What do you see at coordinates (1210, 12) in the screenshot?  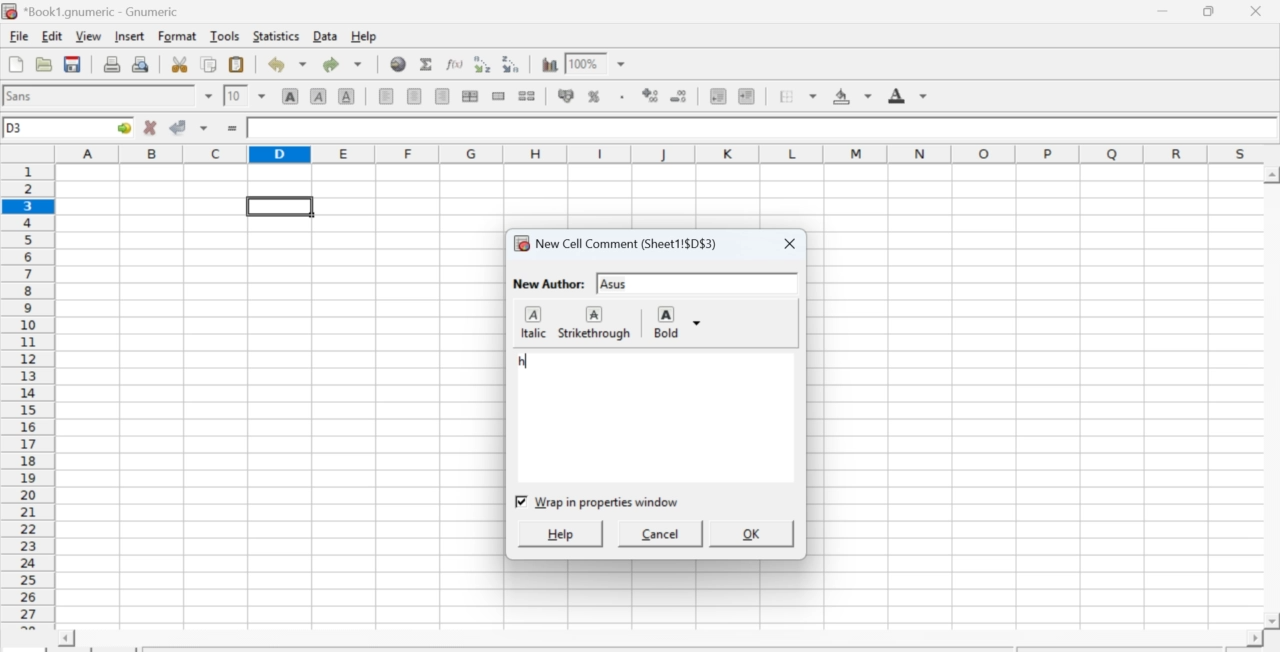 I see `Minimize/Maximize` at bounding box center [1210, 12].